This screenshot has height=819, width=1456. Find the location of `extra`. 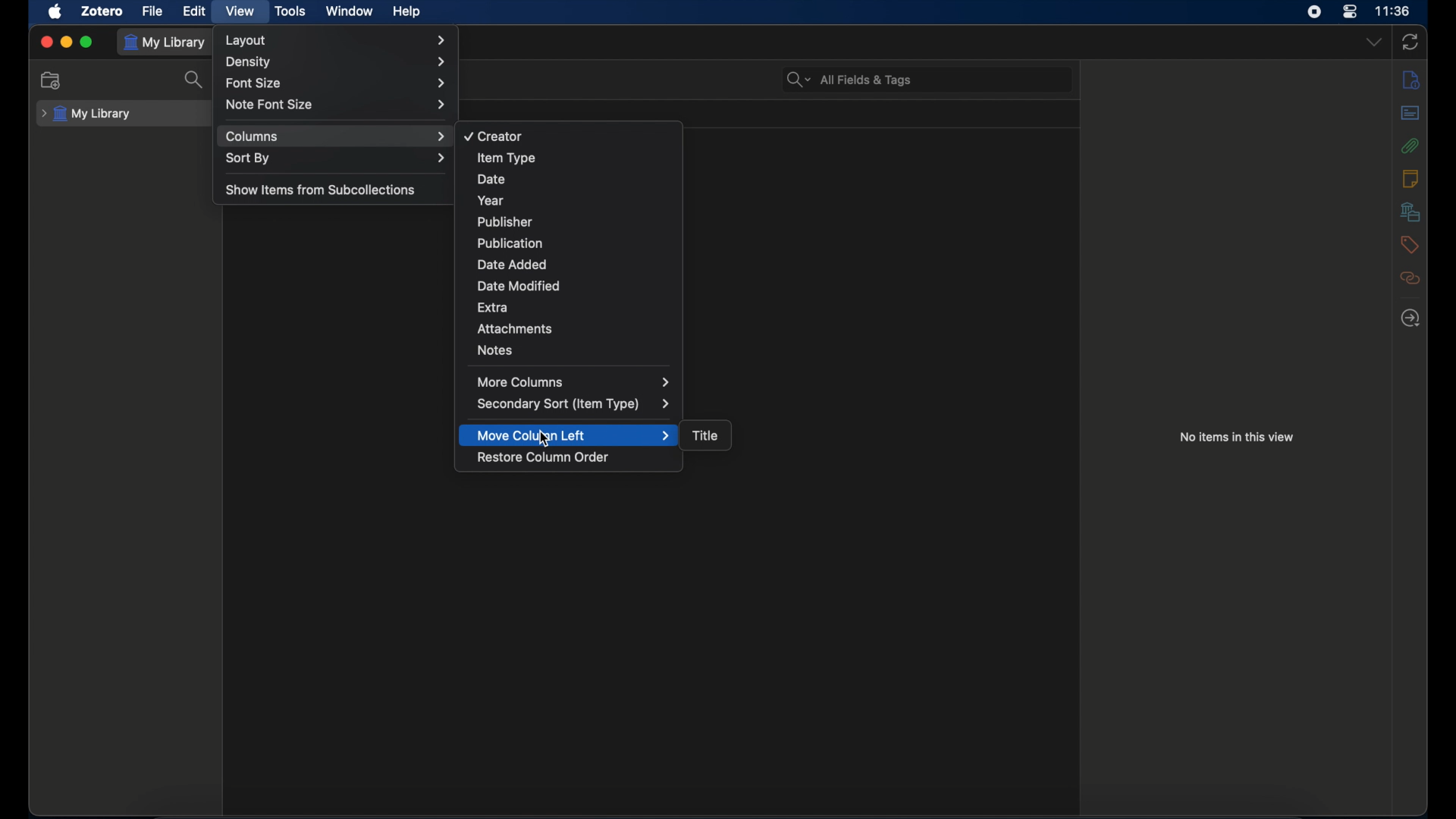

extra is located at coordinates (494, 306).